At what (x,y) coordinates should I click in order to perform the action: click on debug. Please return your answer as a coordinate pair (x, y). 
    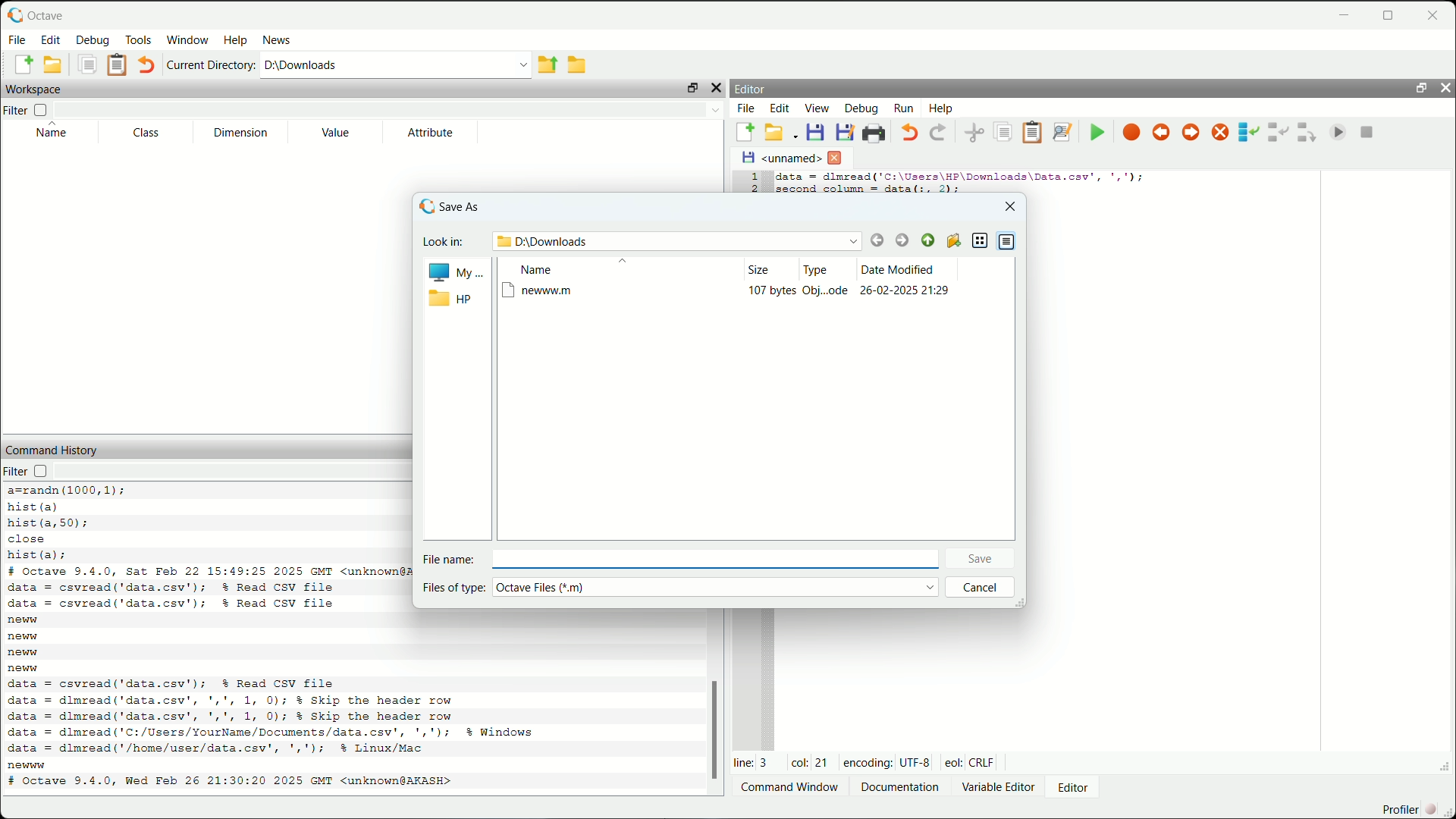
    Looking at the image, I should click on (858, 108).